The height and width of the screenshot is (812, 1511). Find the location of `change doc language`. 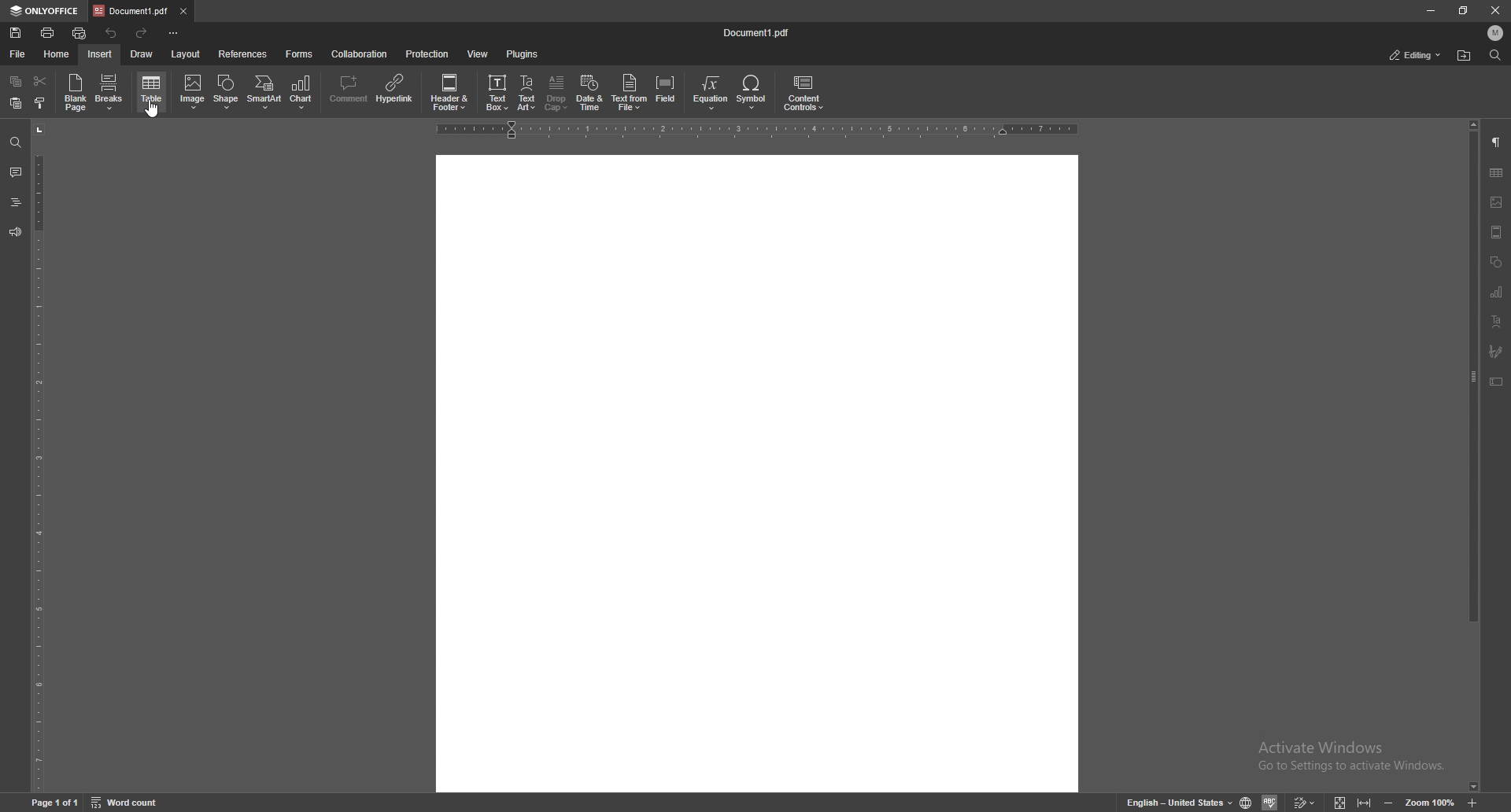

change doc language is located at coordinates (1247, 803).